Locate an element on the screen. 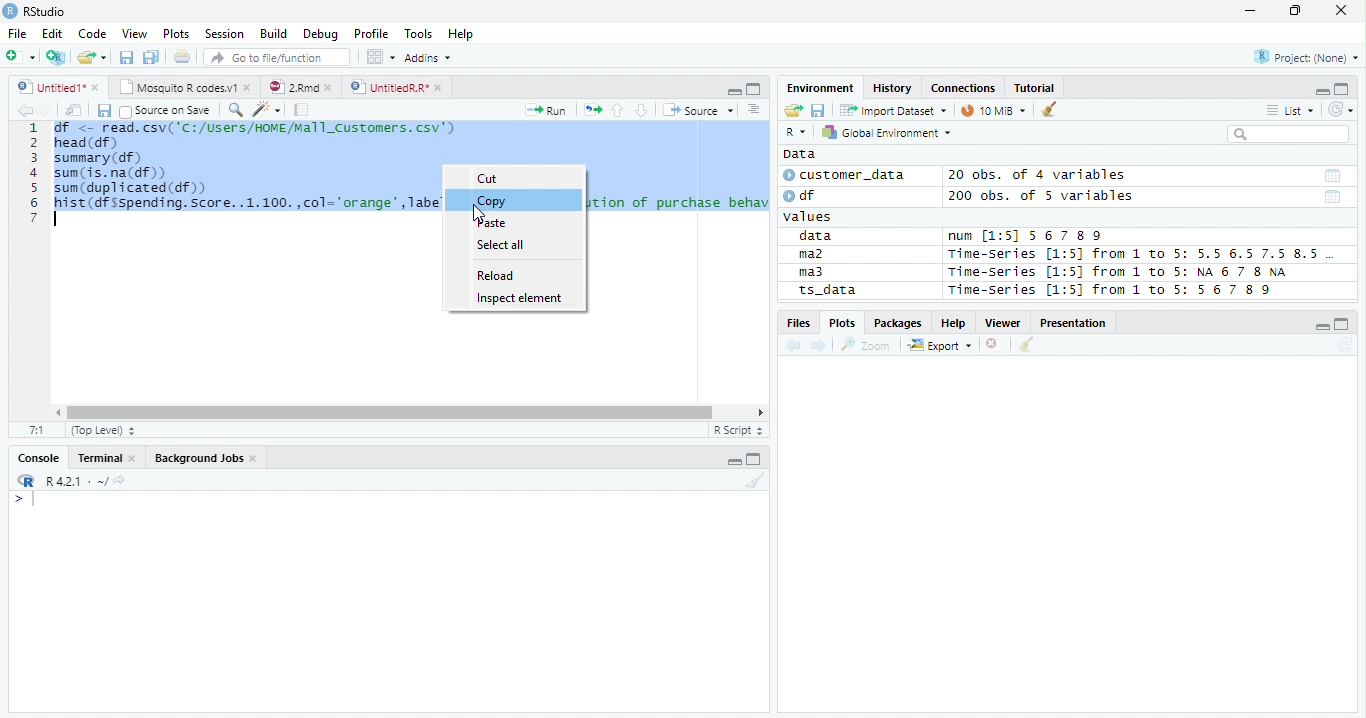 This screenshot has width=1366, height=718. Plots is located at coordinates (842, 322).